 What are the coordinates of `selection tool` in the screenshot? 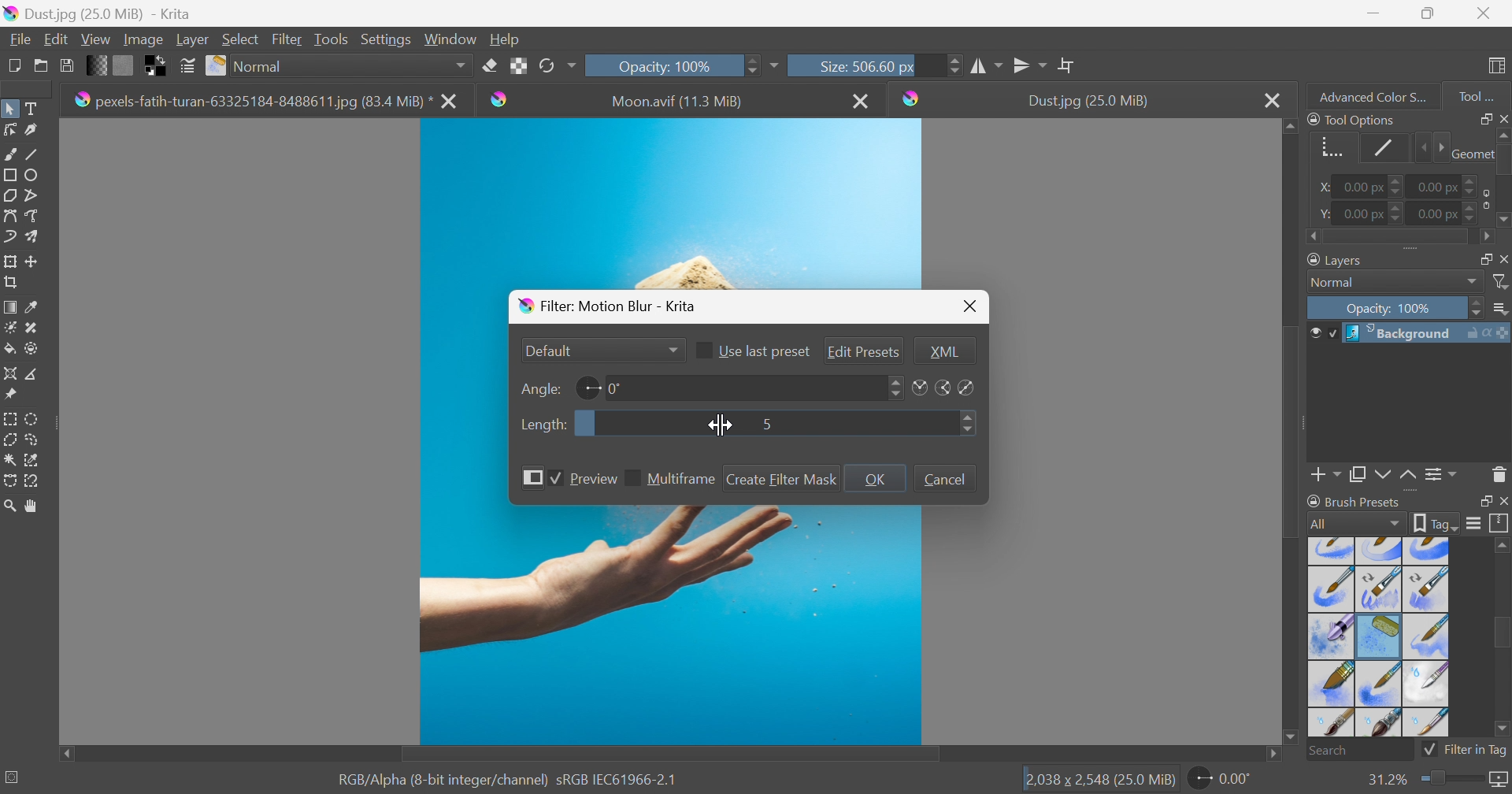 It's located at (9, 483).